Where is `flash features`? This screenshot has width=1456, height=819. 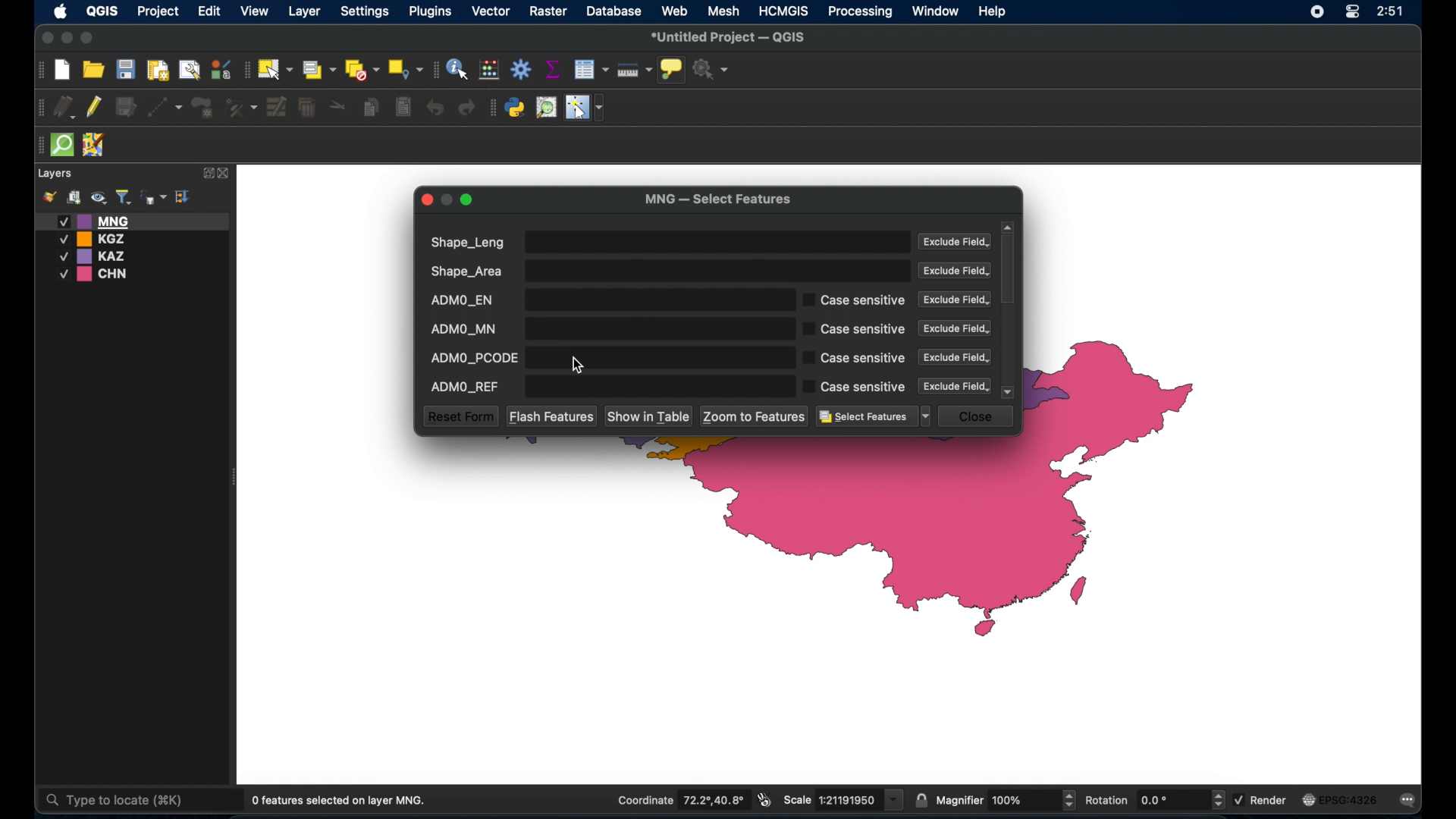 flash features is located at coordinates (551, 416).